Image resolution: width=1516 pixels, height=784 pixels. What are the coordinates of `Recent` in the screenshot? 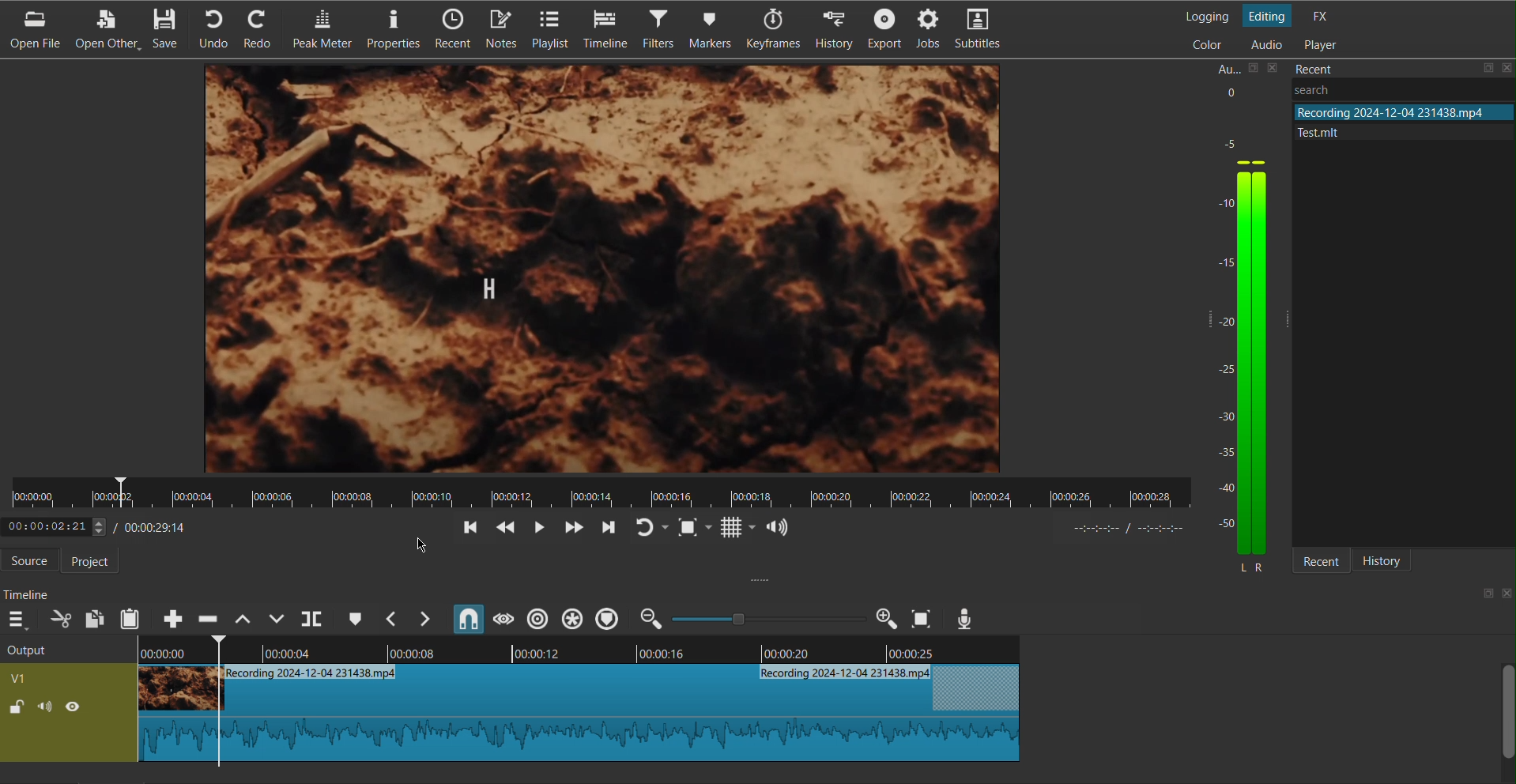 It's located at (1322, 562).